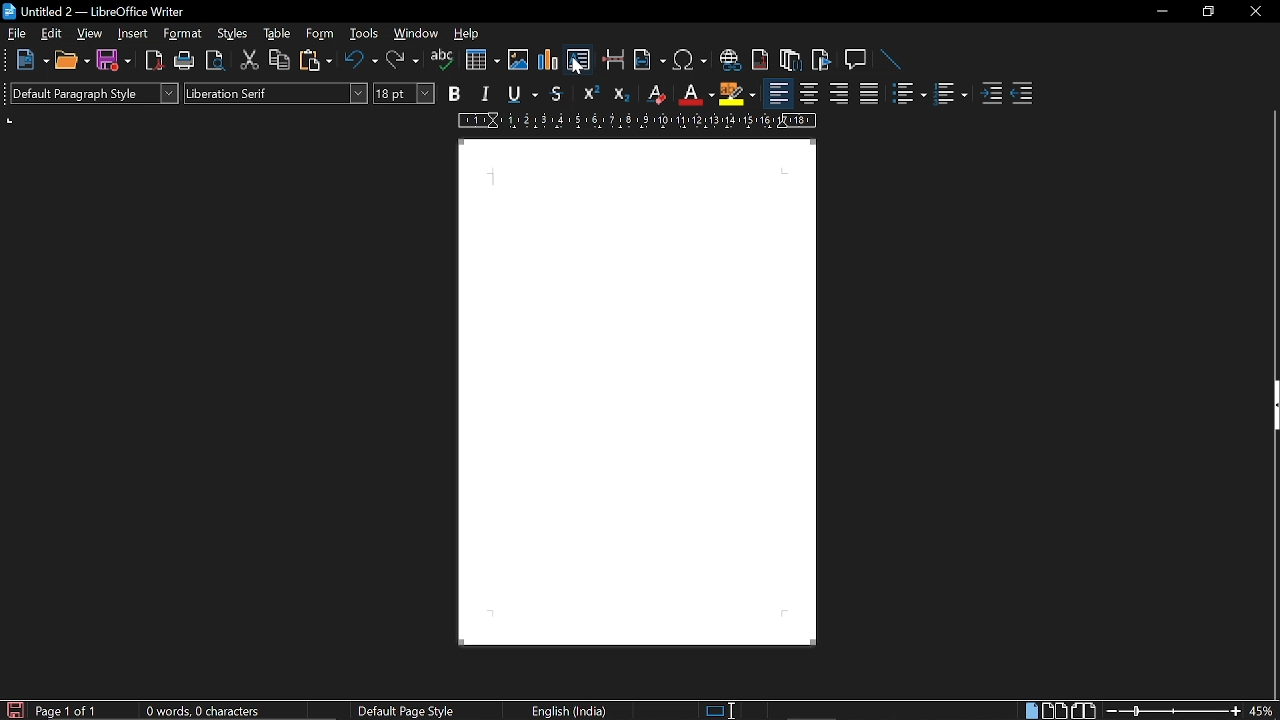 The image size is (1280, 720). Describe the element at coordinates (404, 94) in the screenshot. I see `text size` at that location.